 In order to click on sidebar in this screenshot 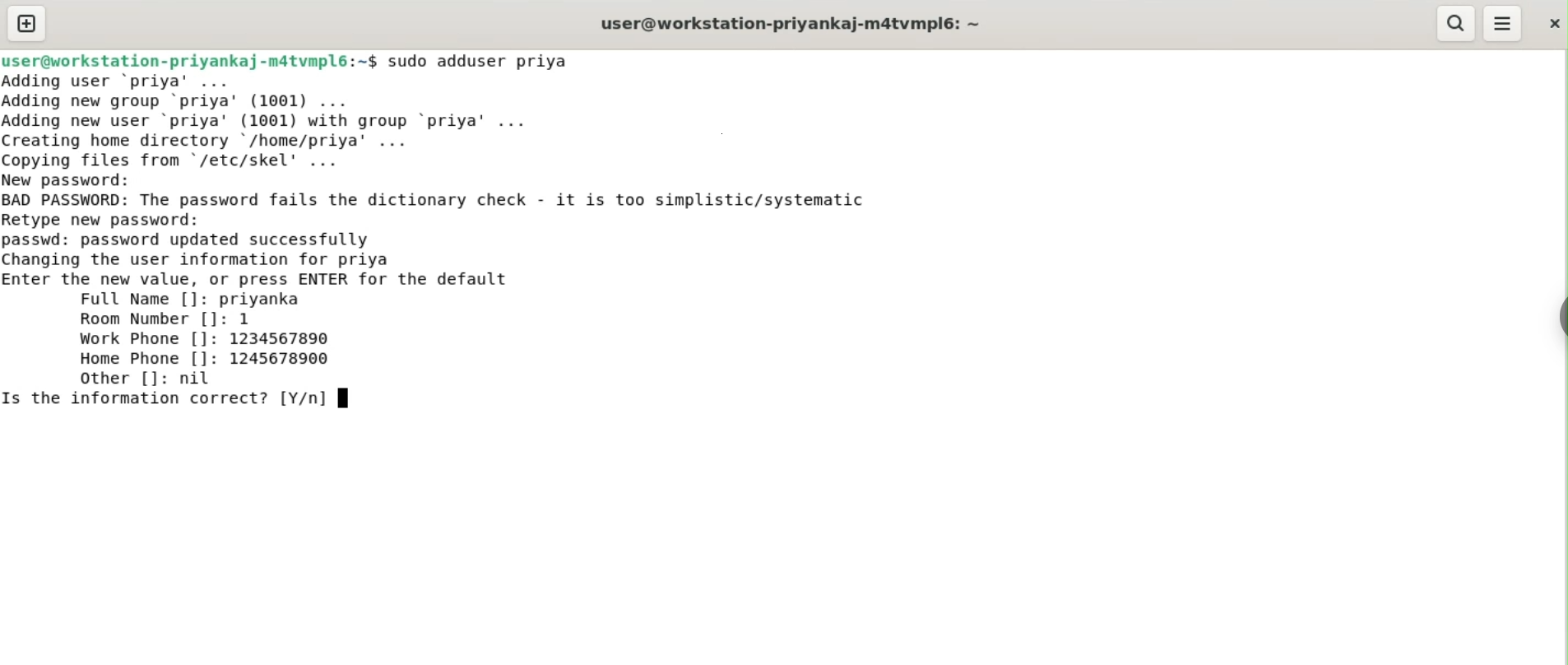, I will do `click(1560, 318)`.